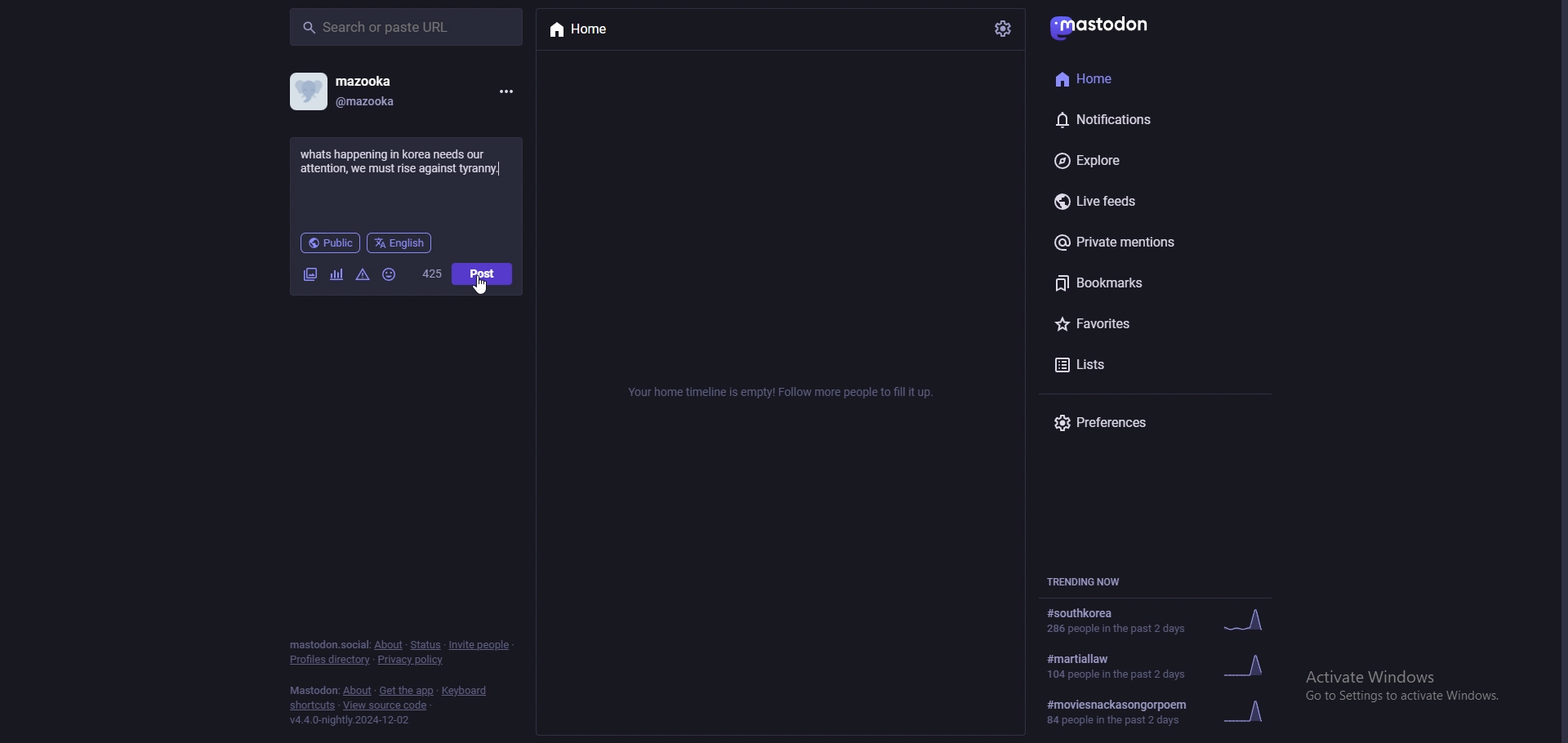  I want to click on warnings, so click(363, 276).